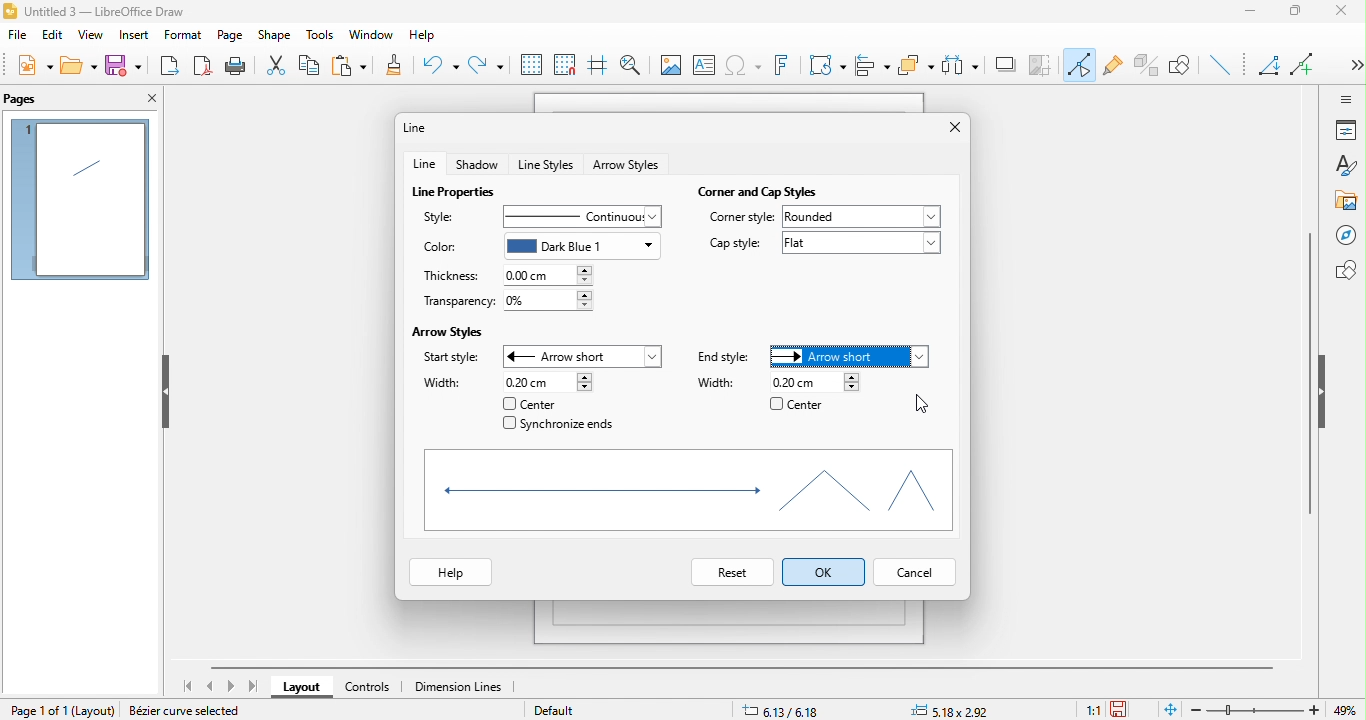 The width and height of the screenshot is (1366, 720). Describe the element at coordinates (561, 426) in the screenshot. I see `synchronize ends` at that location.